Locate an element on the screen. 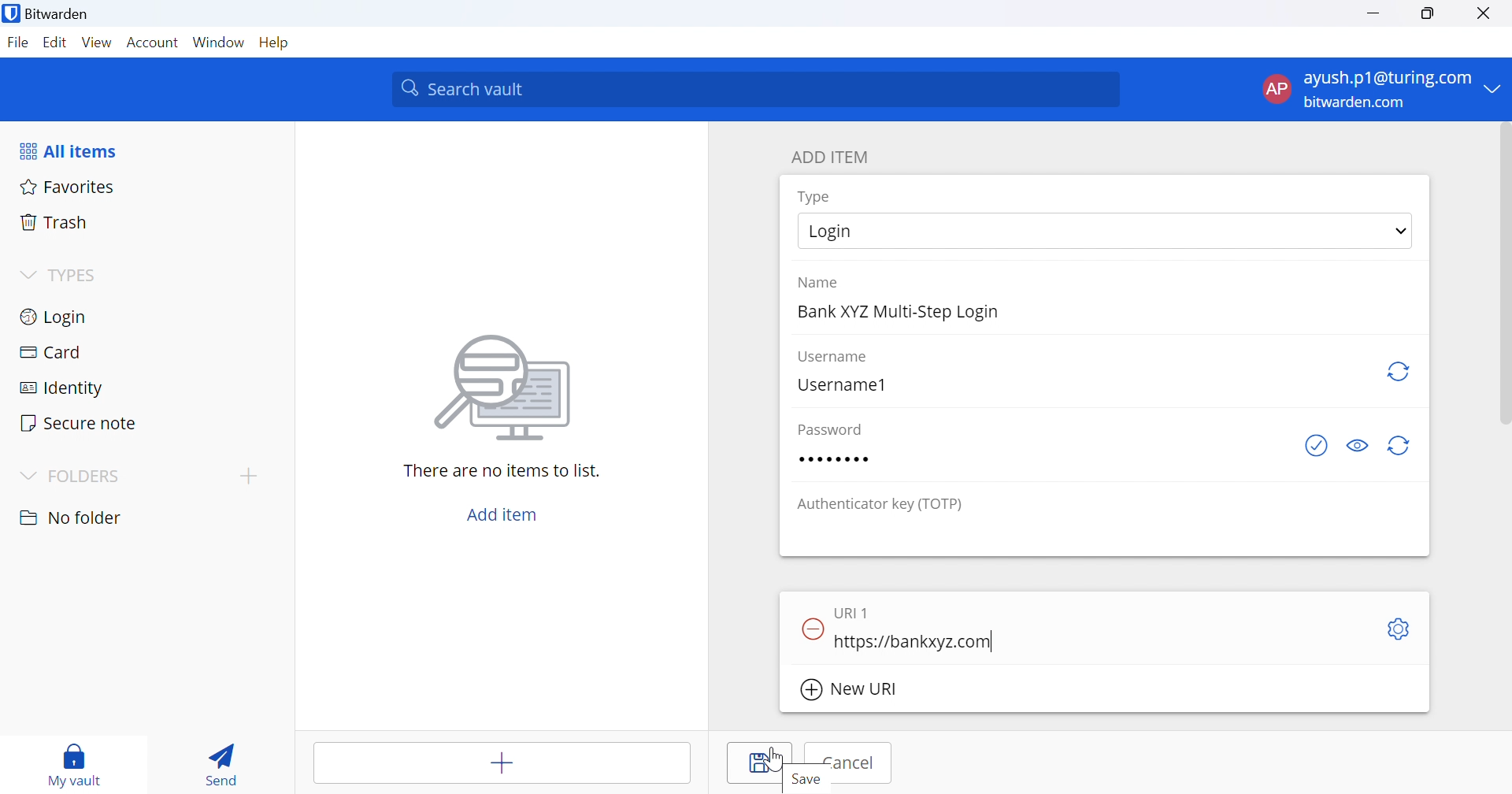  Send is located at coordinates (224, 760).